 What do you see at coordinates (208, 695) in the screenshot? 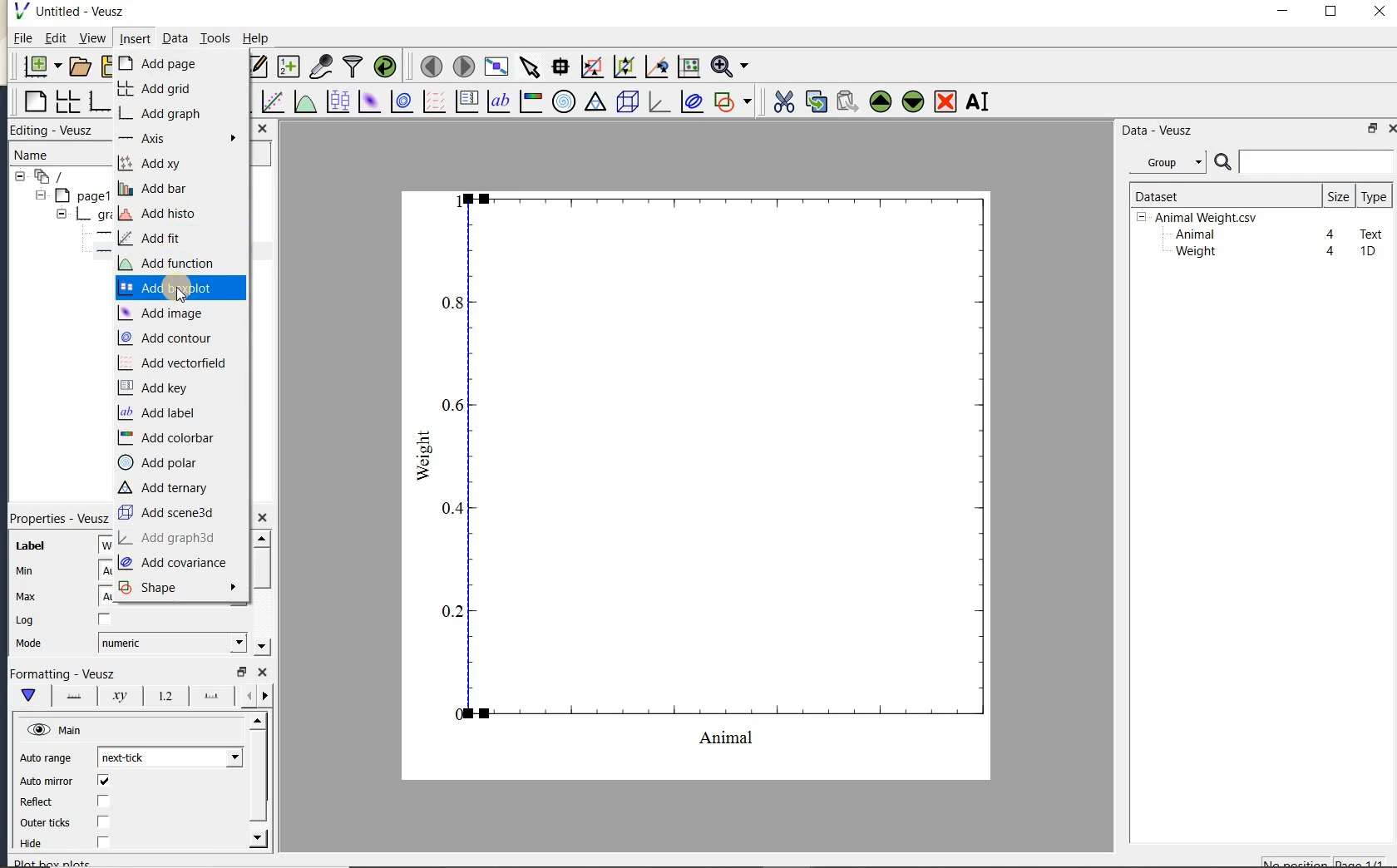
I see `major ticks` at bounding box center [208, 695].